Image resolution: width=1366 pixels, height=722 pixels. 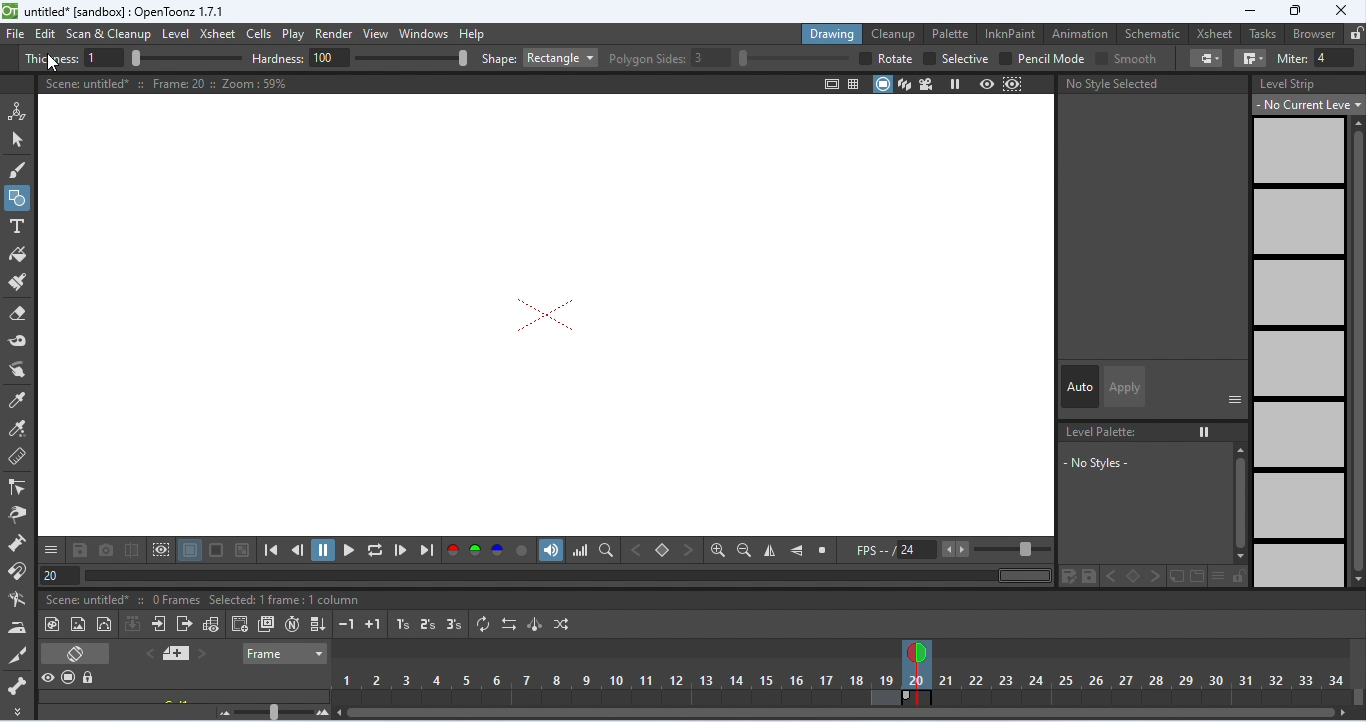 What do you see at coordinates (986, 84) in the screenshot?
I see `preview` at bounding box center [986, 84].